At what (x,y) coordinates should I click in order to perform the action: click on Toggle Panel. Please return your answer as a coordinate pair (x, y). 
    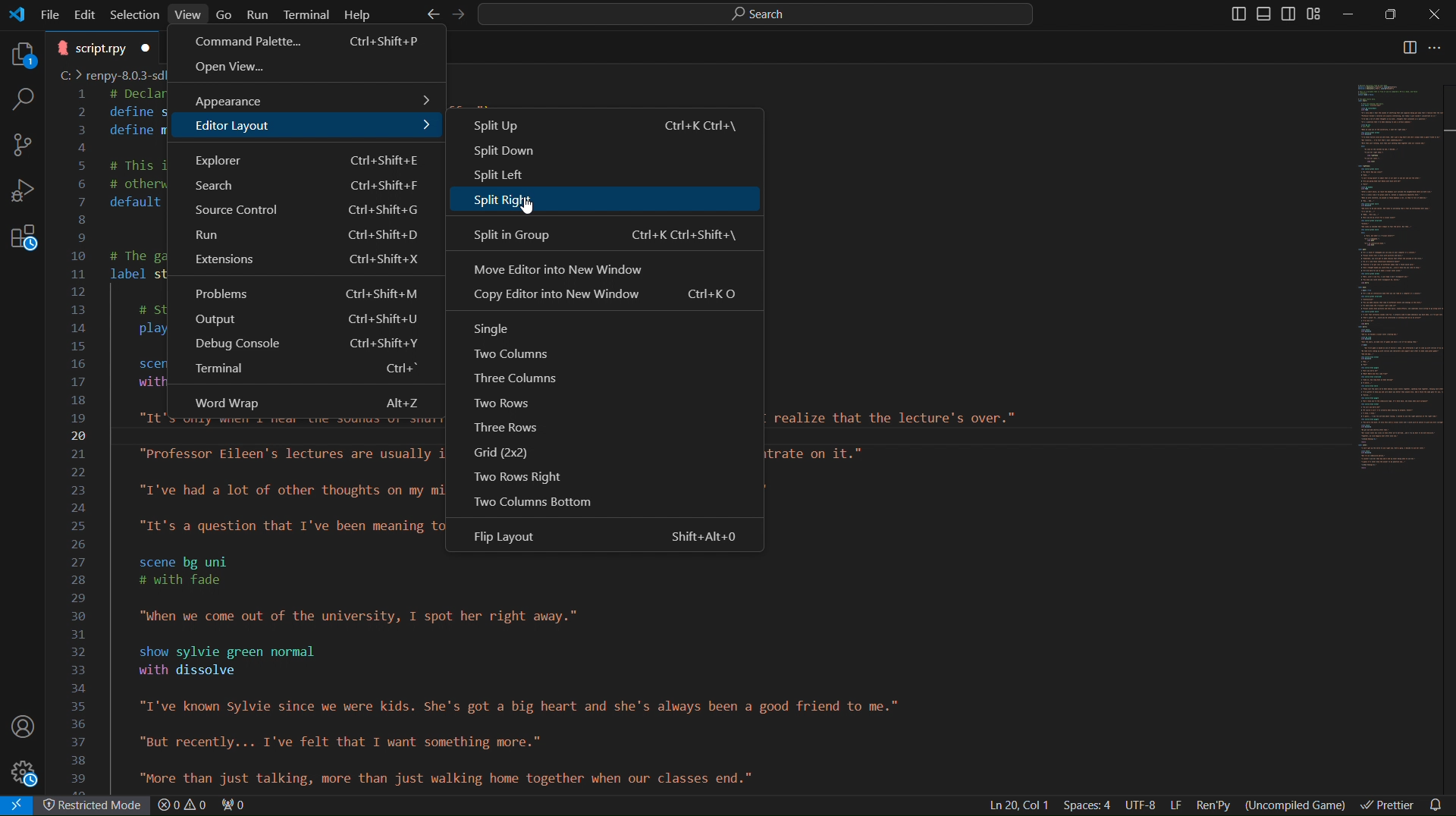
    Looking at the image, I should click on (1266, 14).